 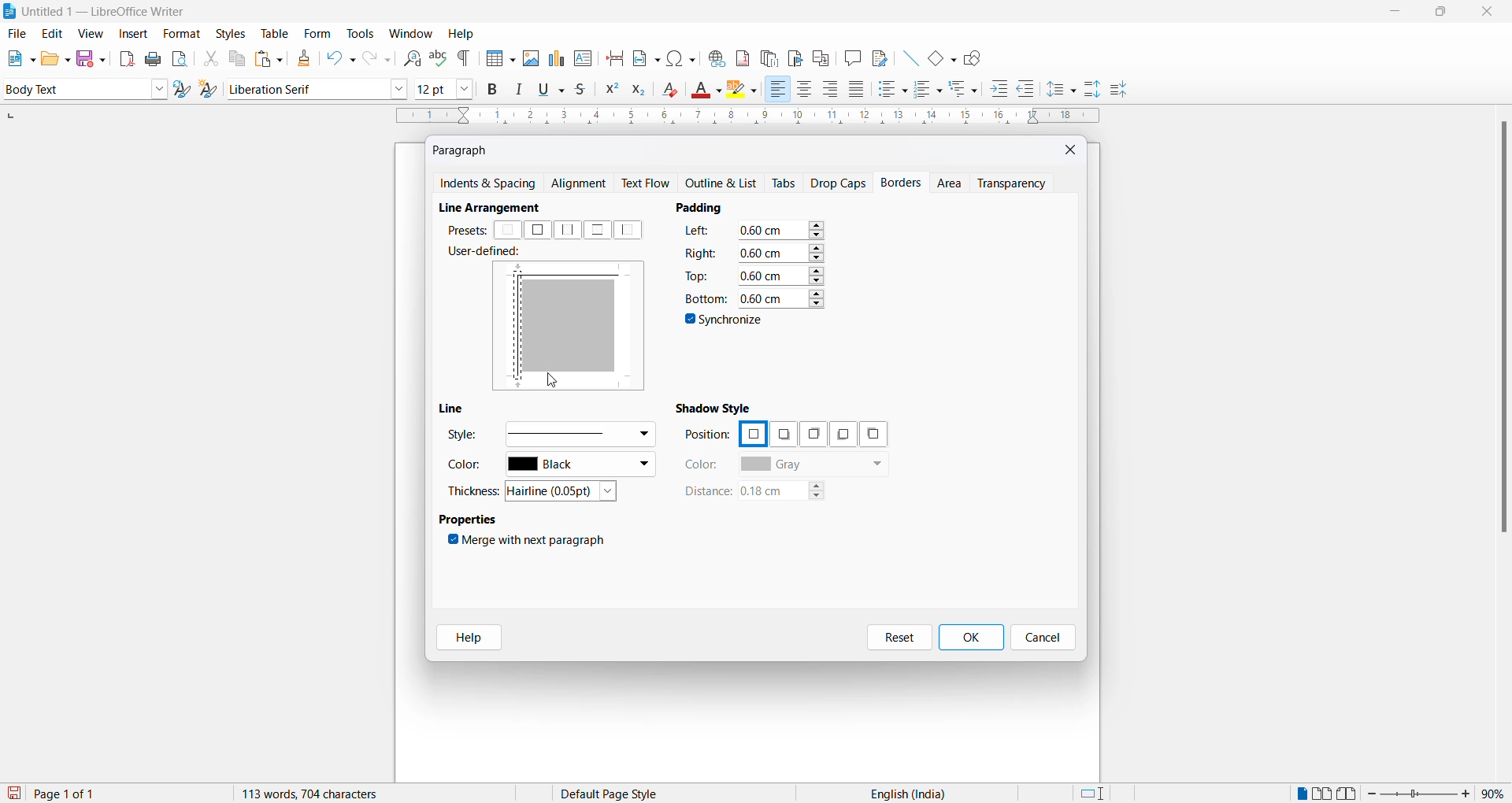 I want to click on position options, so click(x=873, y=434).